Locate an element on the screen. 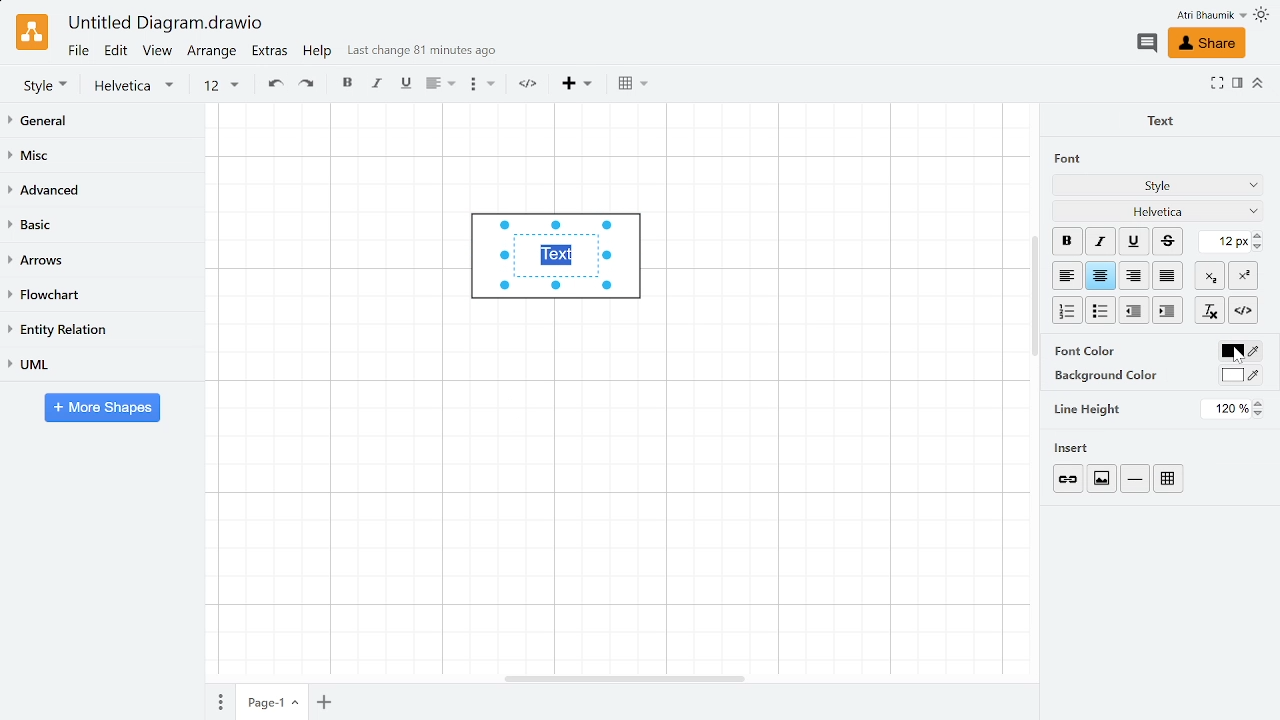 The height and width of the screenshot is (720, 1280). Advanced is located at coordinates (102, 191).